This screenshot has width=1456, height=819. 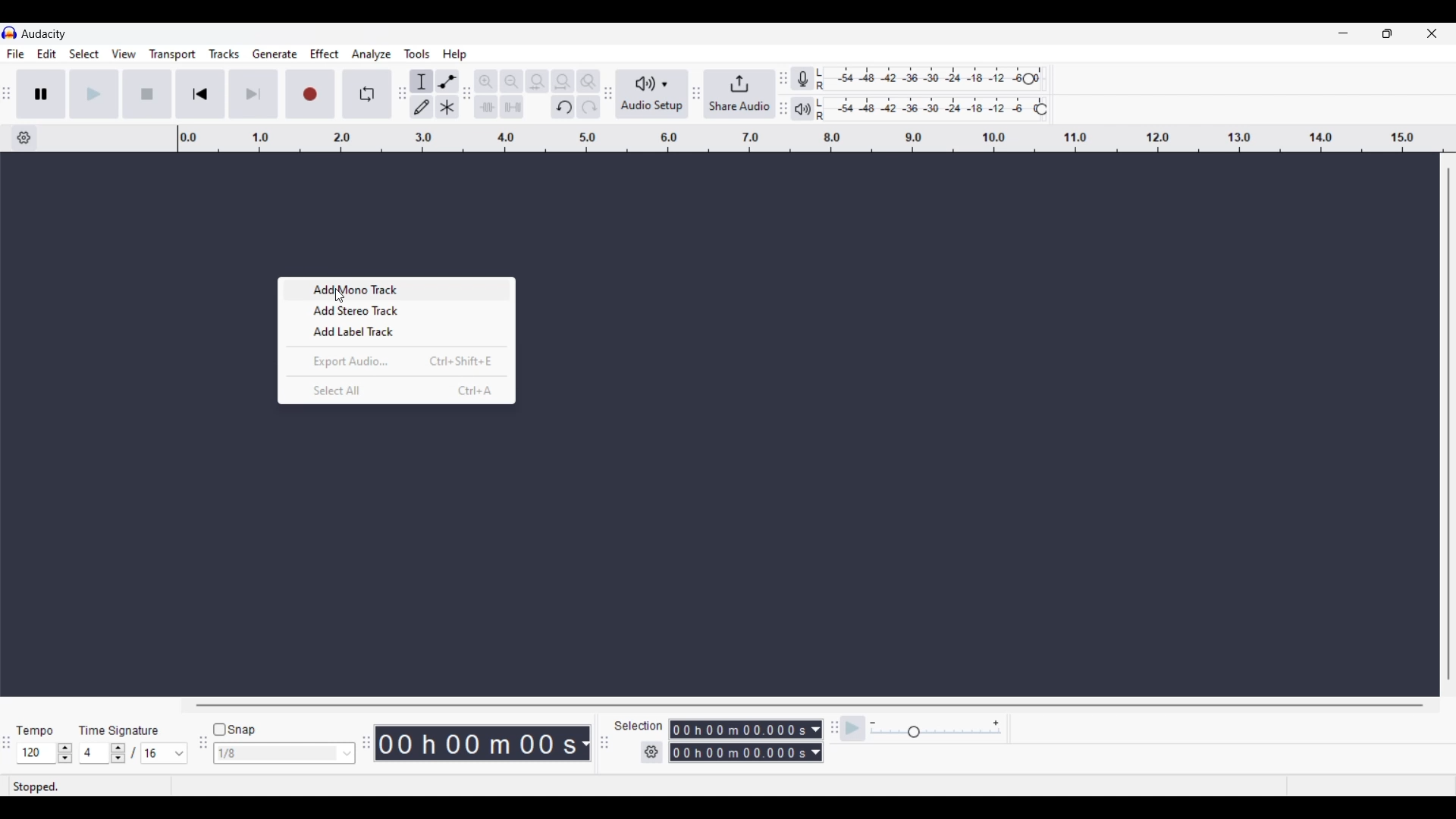 What do you see at coordinates (485, 81) in the screenshot?
I see `Zoom in` at bounding box center [485, 81].